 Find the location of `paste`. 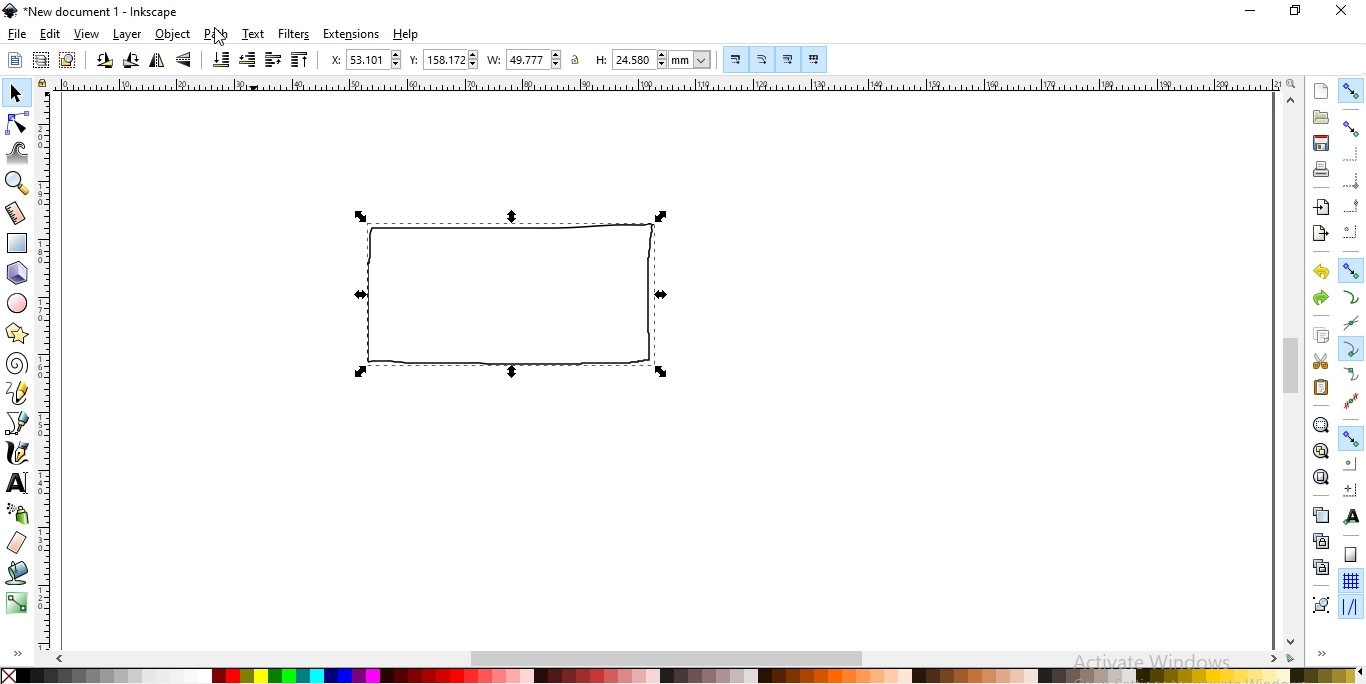

paste is located at coordinates (1320, 388).